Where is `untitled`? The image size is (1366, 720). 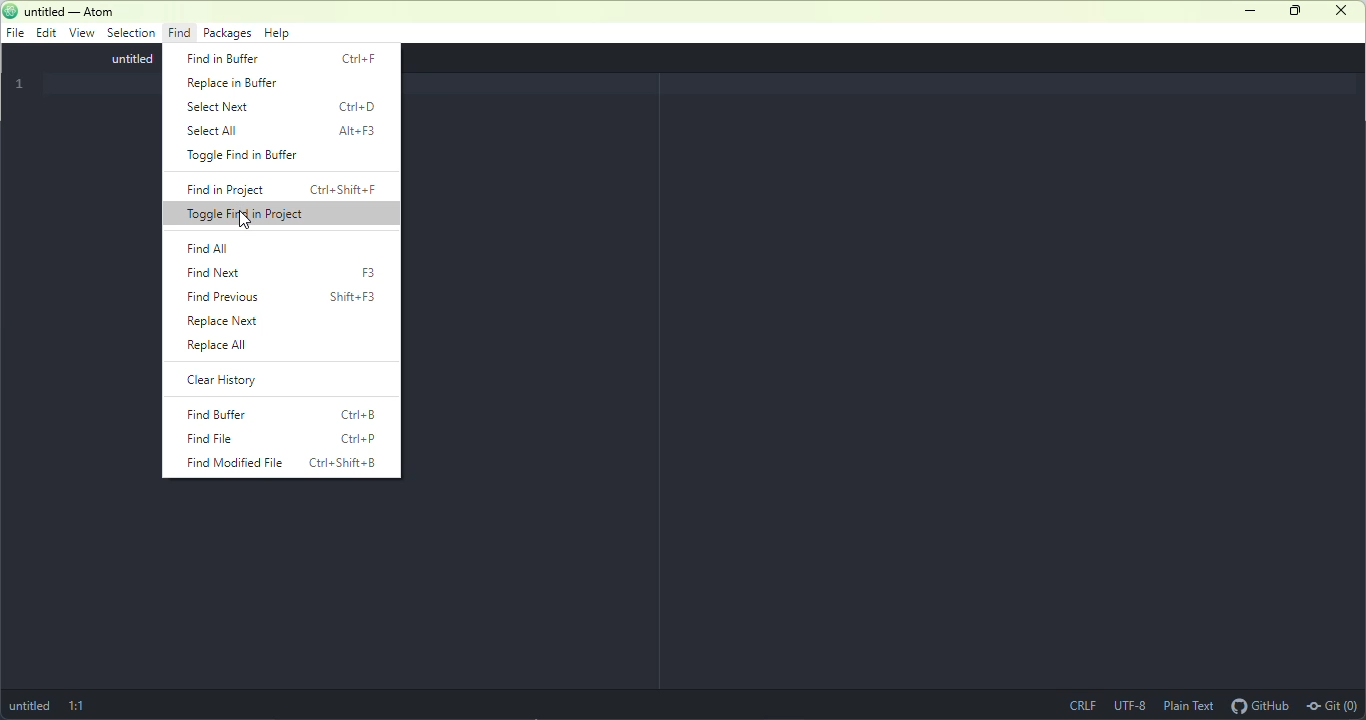
untitled is located at coordinates (30, 707).